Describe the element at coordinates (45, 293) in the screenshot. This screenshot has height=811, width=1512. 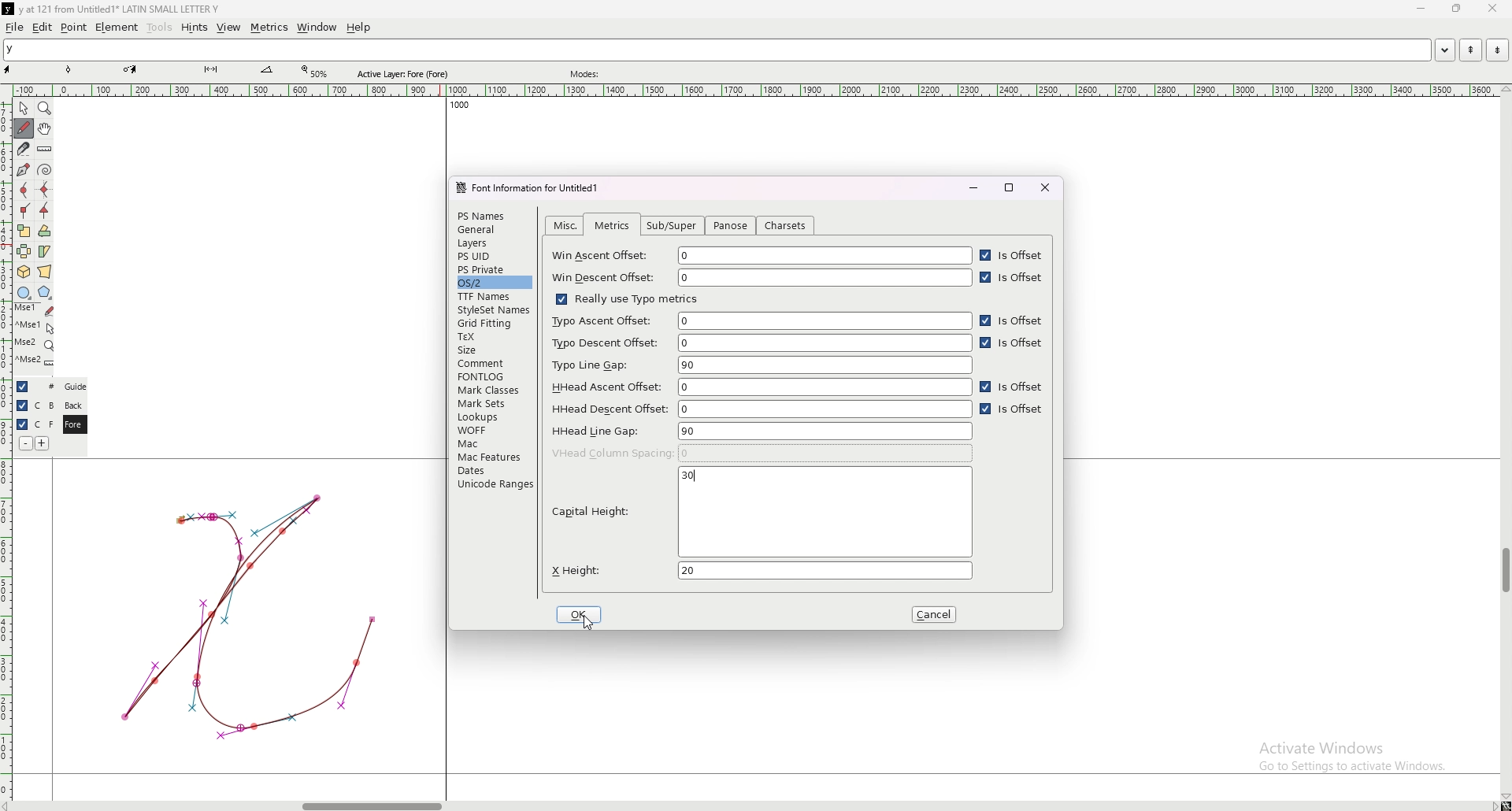
I see `polygon or star` at that location.